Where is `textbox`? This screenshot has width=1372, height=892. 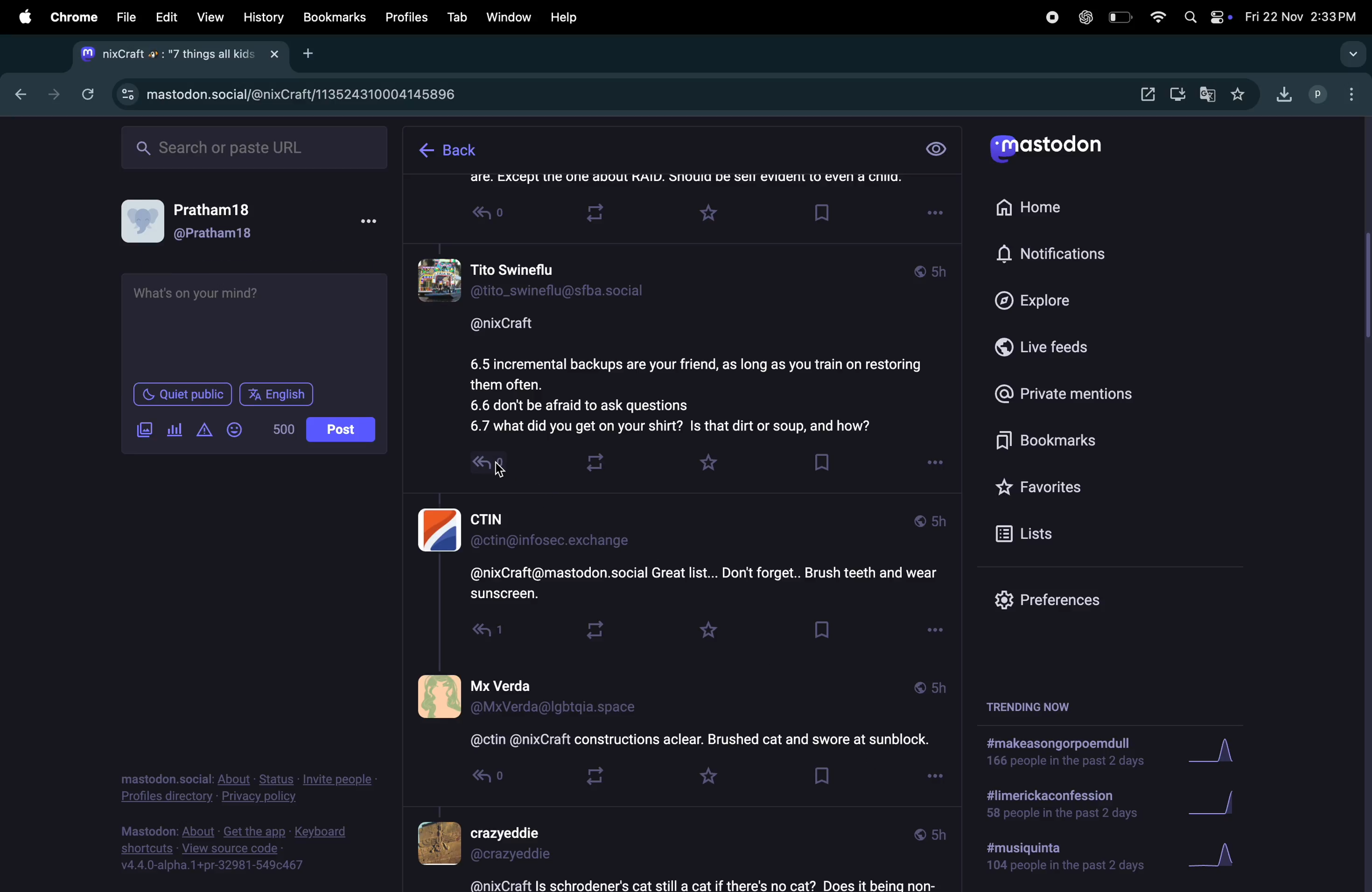
textbox is located at coordinates (252, 324).